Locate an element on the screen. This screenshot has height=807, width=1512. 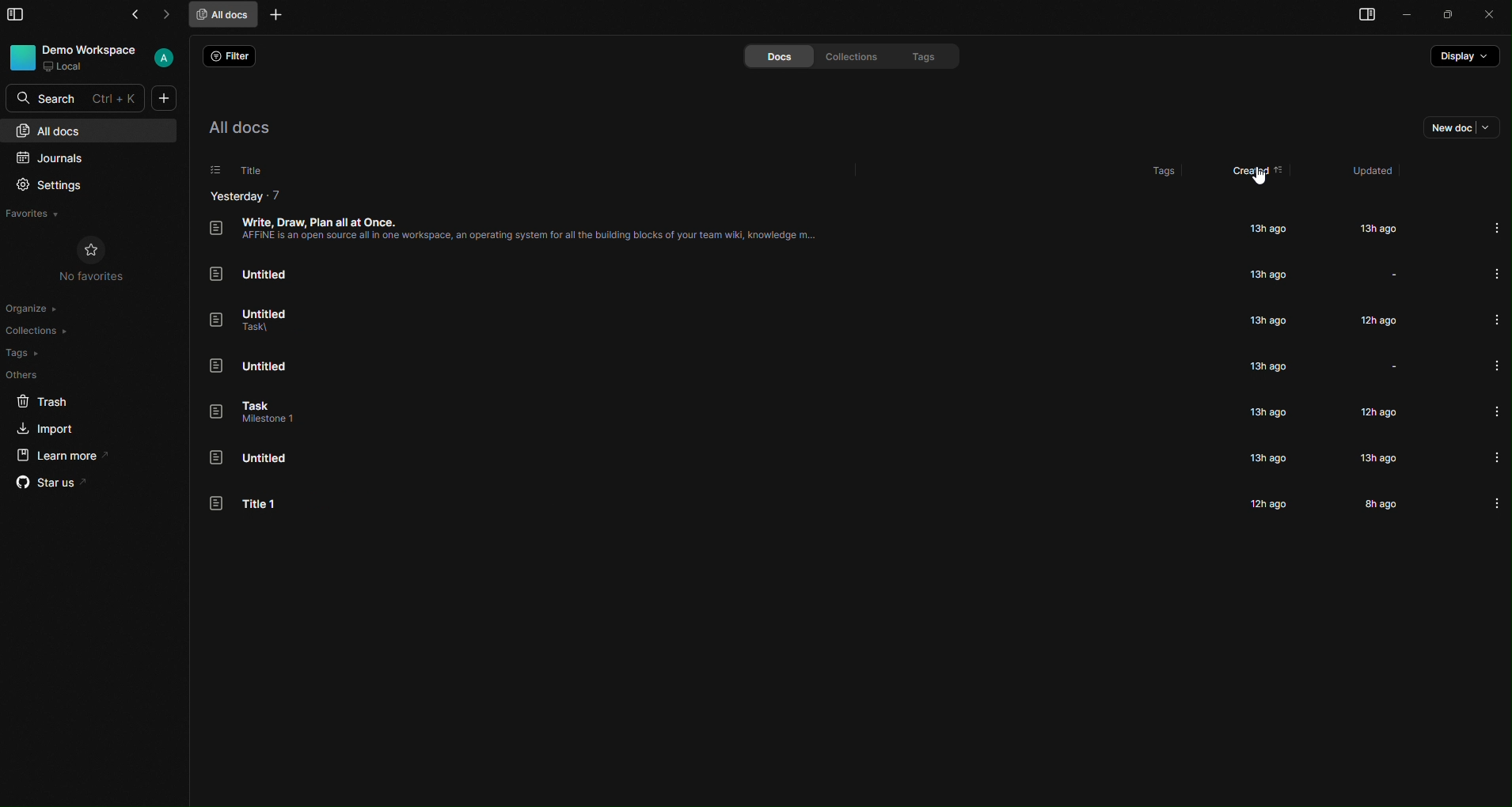
8h ago is located at coordinates (1375, 504).